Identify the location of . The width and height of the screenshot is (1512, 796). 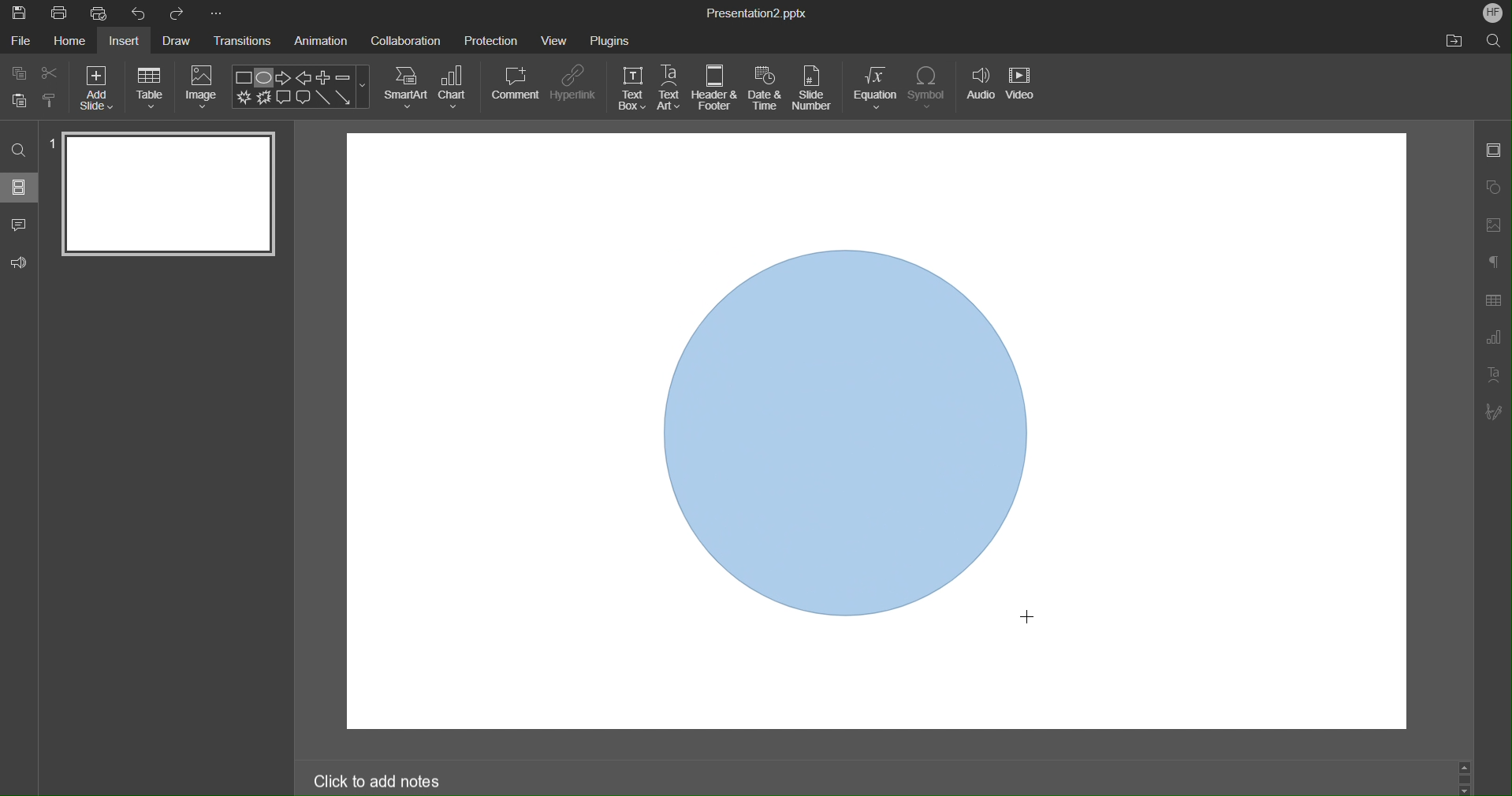
(20, 99).